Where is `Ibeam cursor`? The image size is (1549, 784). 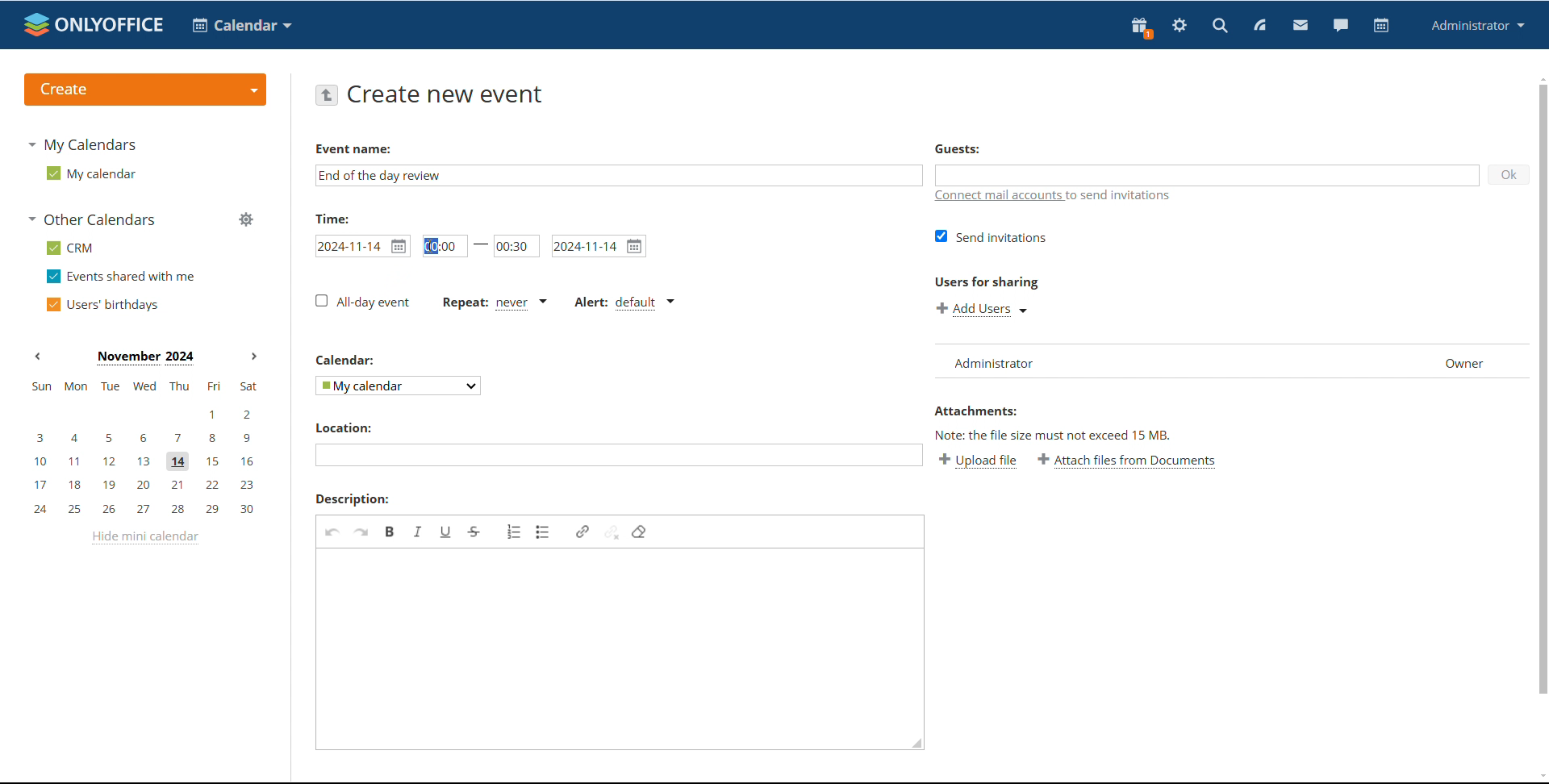
Ibeam cursor is located at coordinates (434, 247).